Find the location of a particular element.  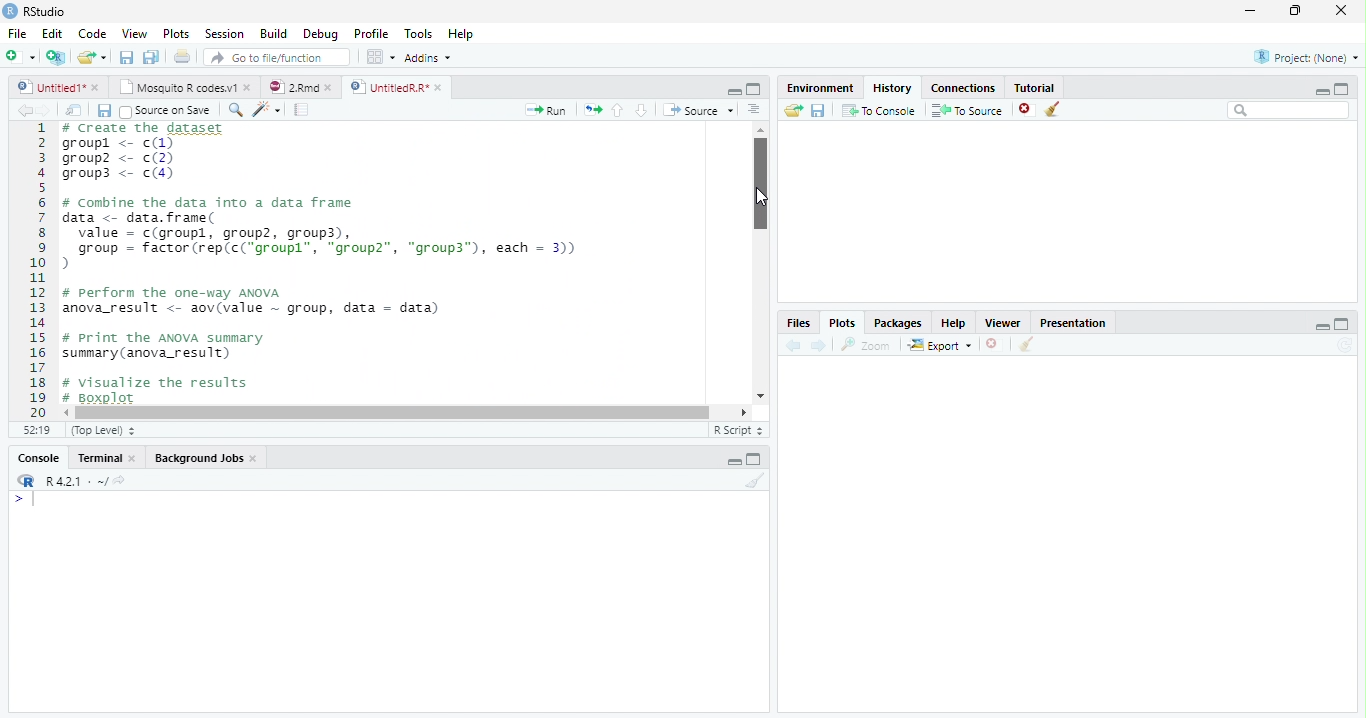

Minimize is located at coordinates (1251, 12).